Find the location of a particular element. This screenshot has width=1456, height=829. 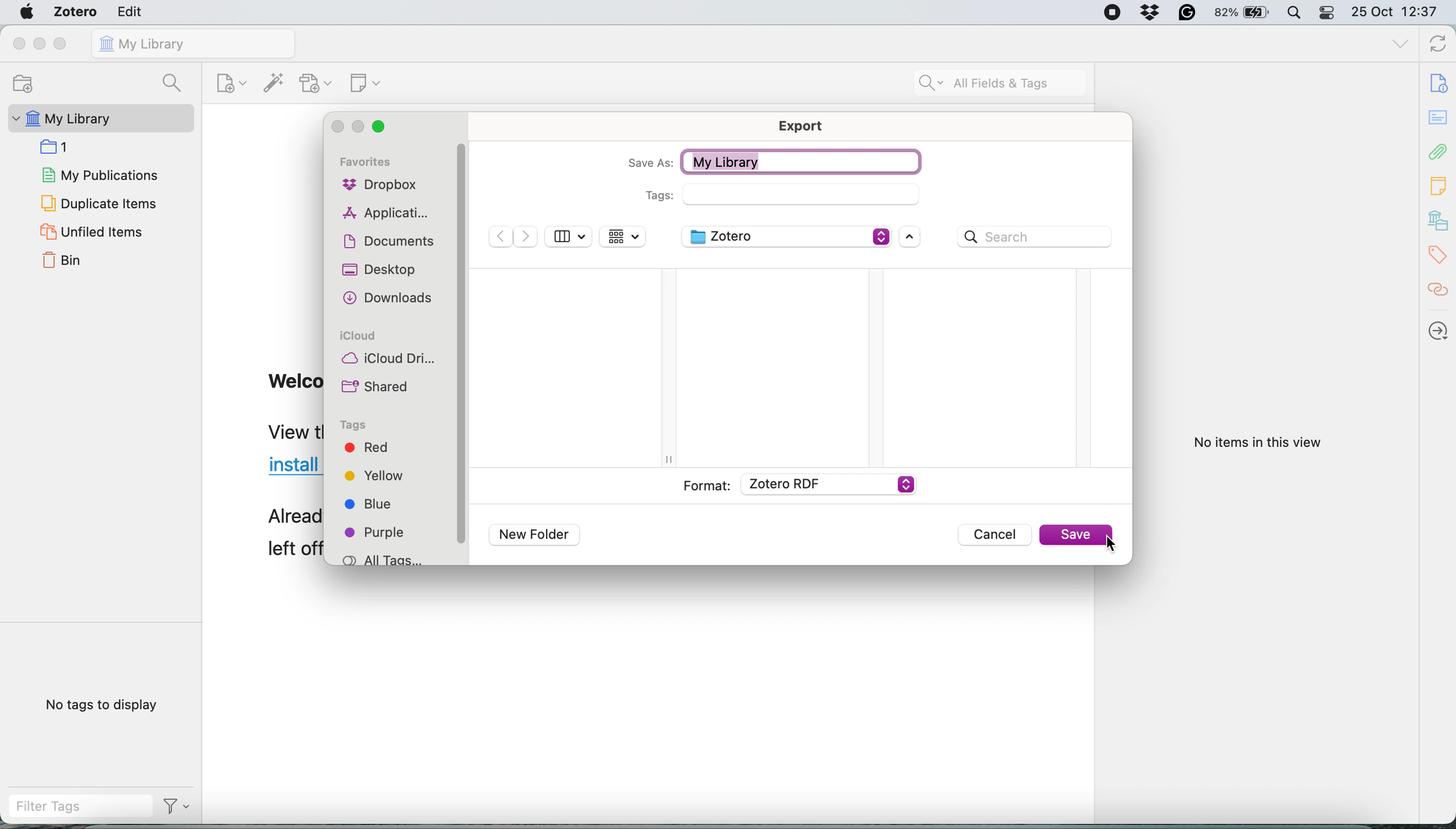

Downloads is located at coordinates (391, 298).